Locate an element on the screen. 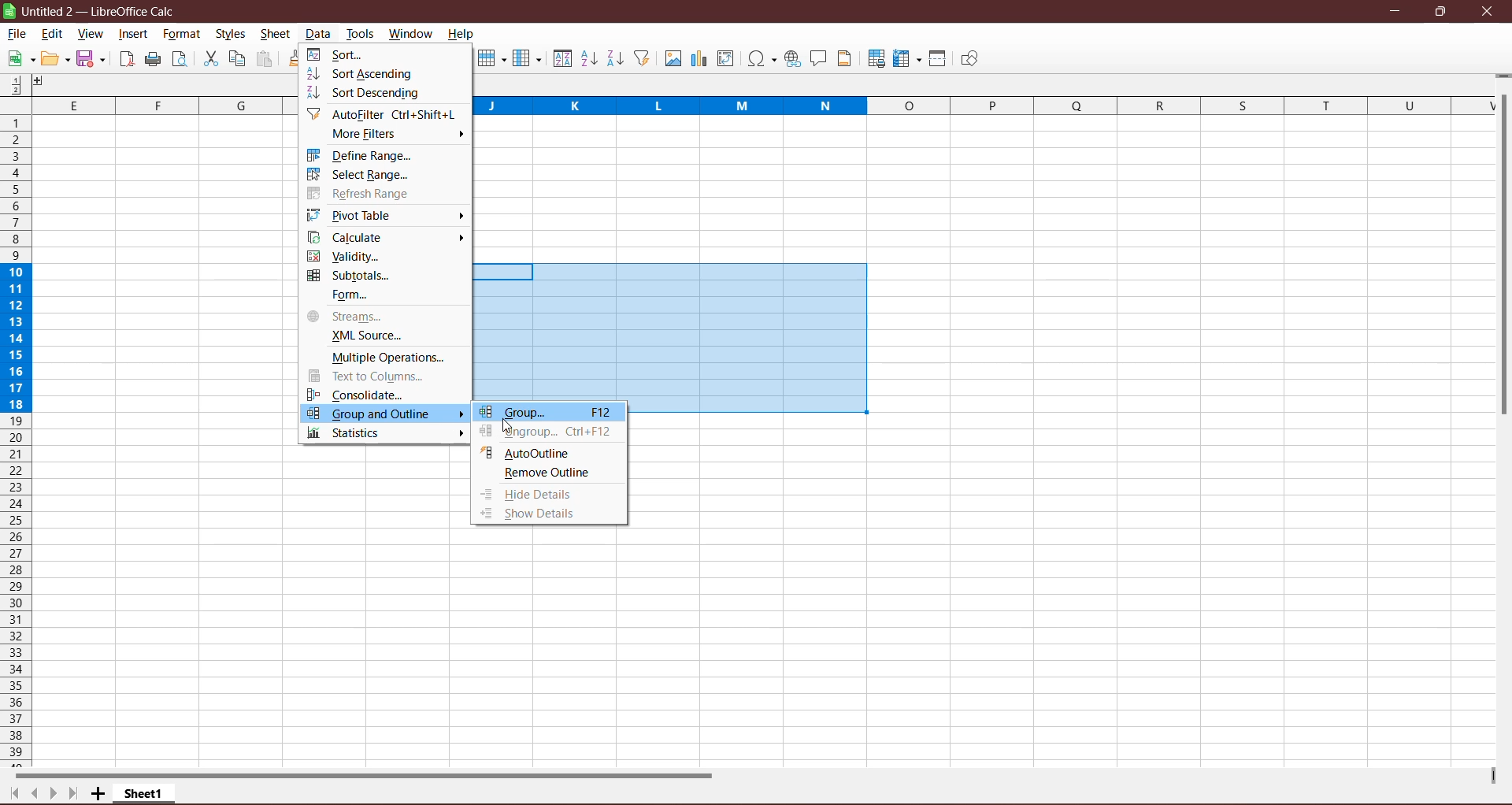 The width and height of the screenshot is (1512, 805). Rows is located at coordinates (14, 441).